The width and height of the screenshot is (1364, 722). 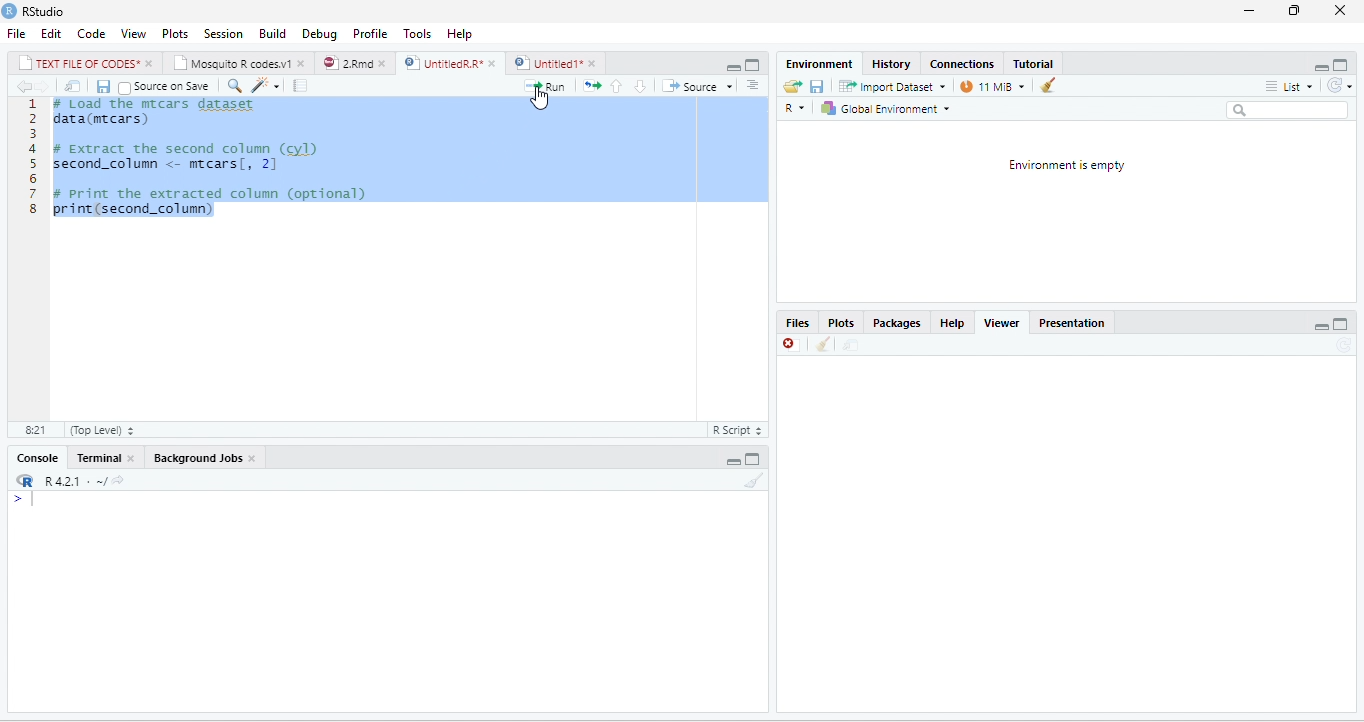 I want to click on minimize, so click(x=735, y=457).